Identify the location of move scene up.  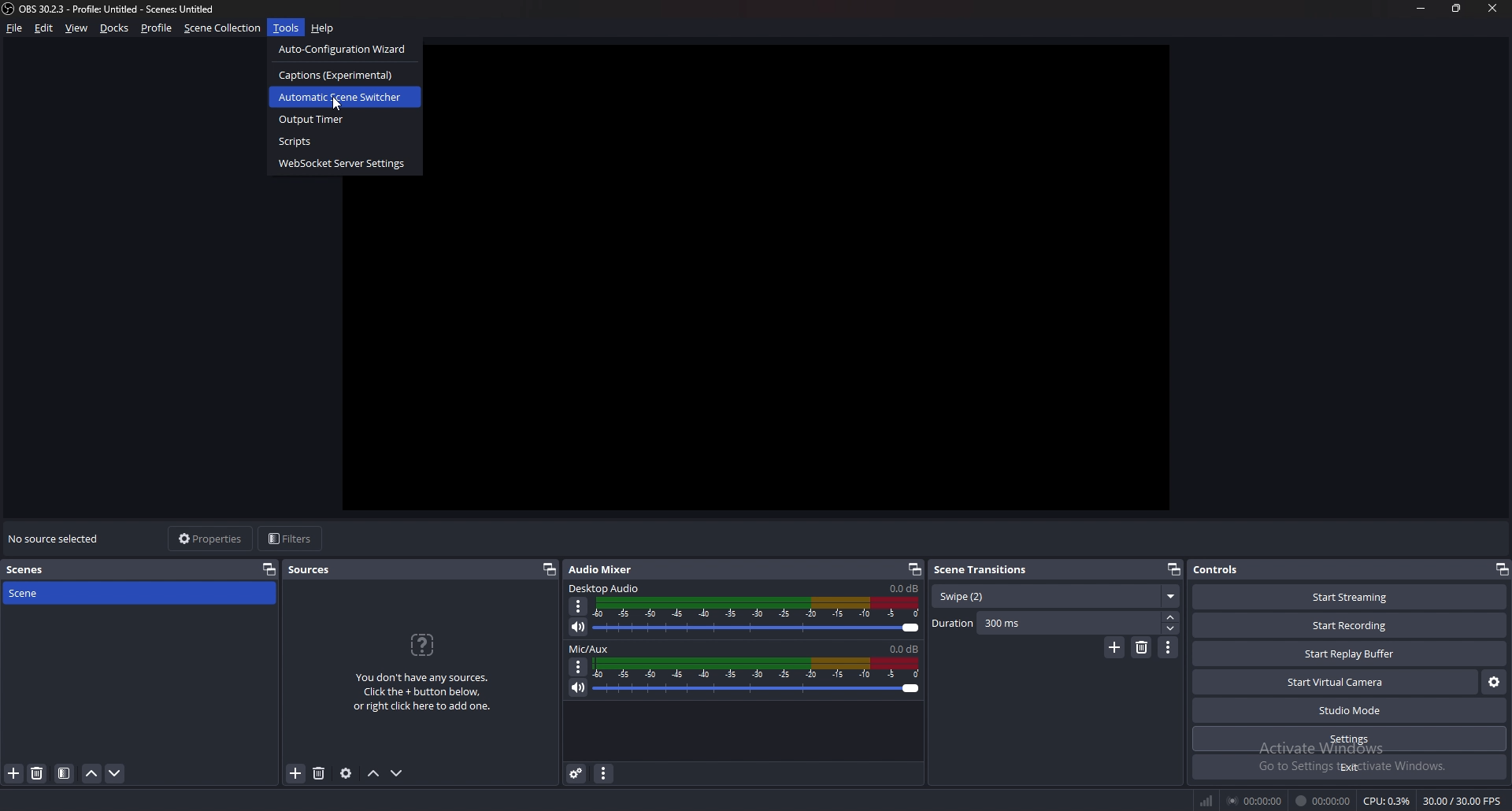
(93, 773).